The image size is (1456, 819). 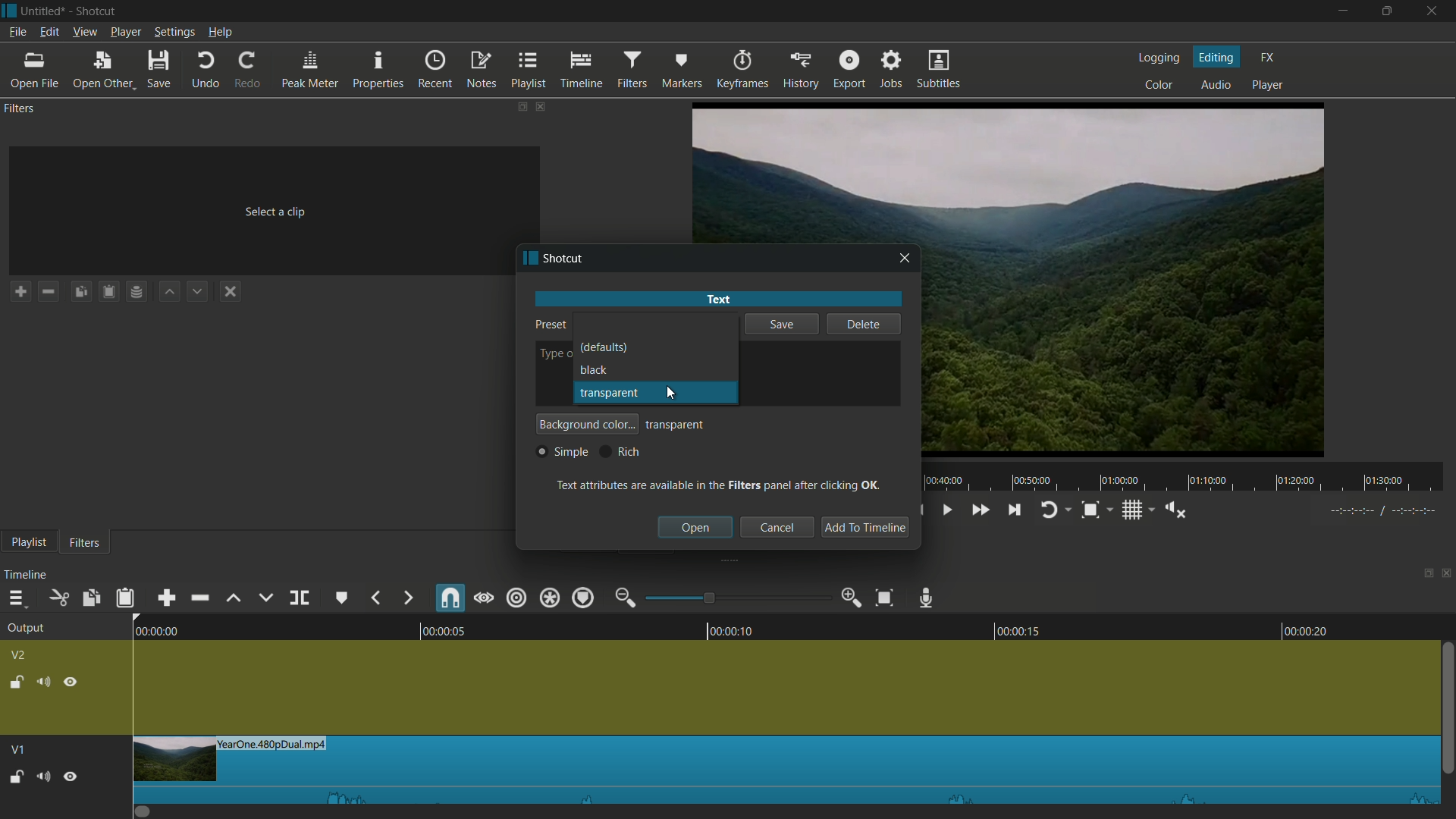 I want to click on record audio, so click(x=927, y=596).